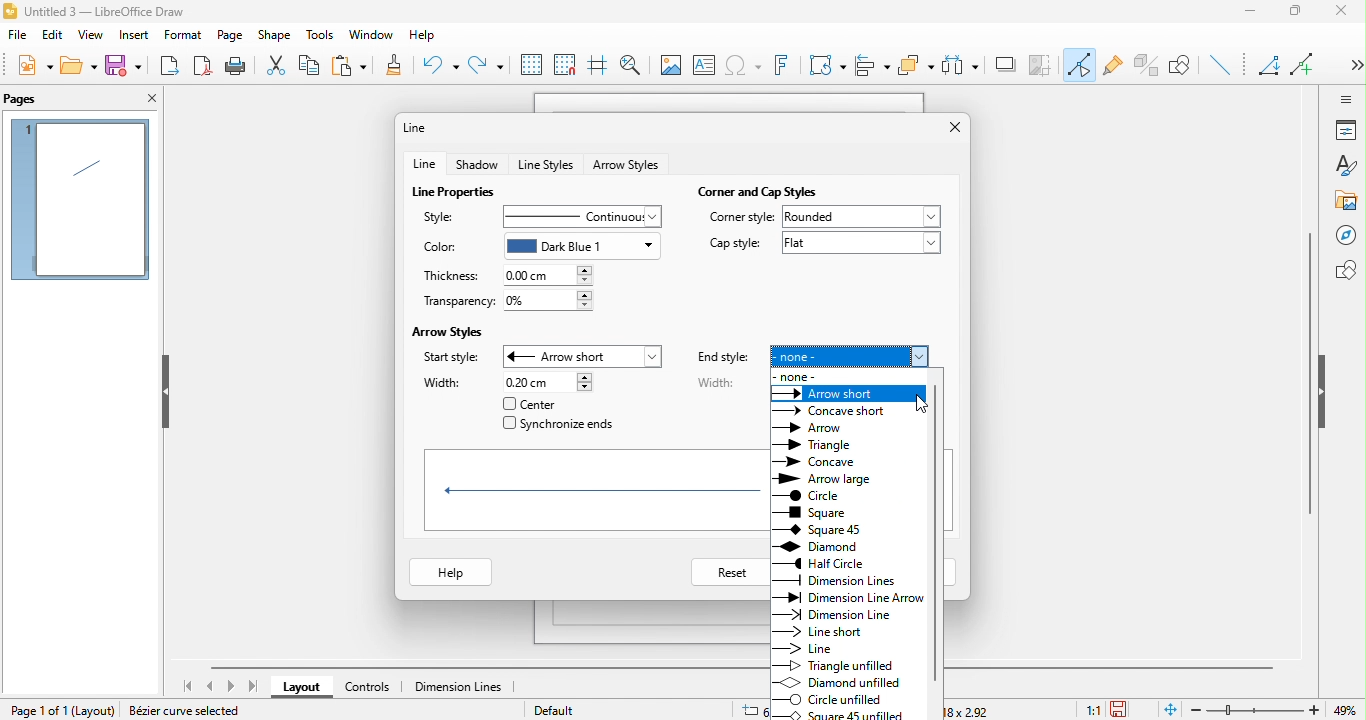  What do you see at coordinates (275, 36) in the screenshot?
I see `shape` at bounding box center [275, 36].